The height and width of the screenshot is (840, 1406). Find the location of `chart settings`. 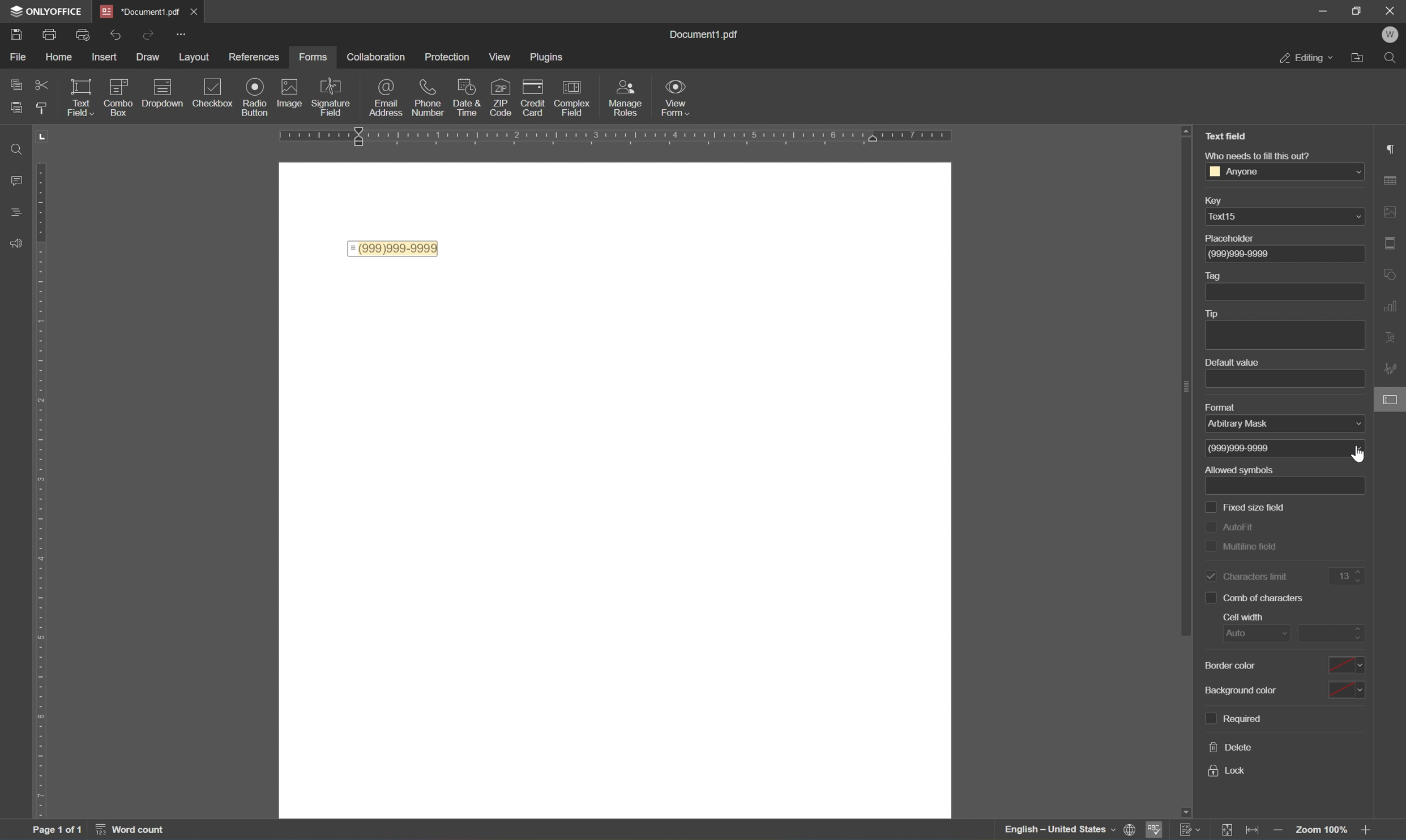

chart settings is located at coordinates (1394, 307).